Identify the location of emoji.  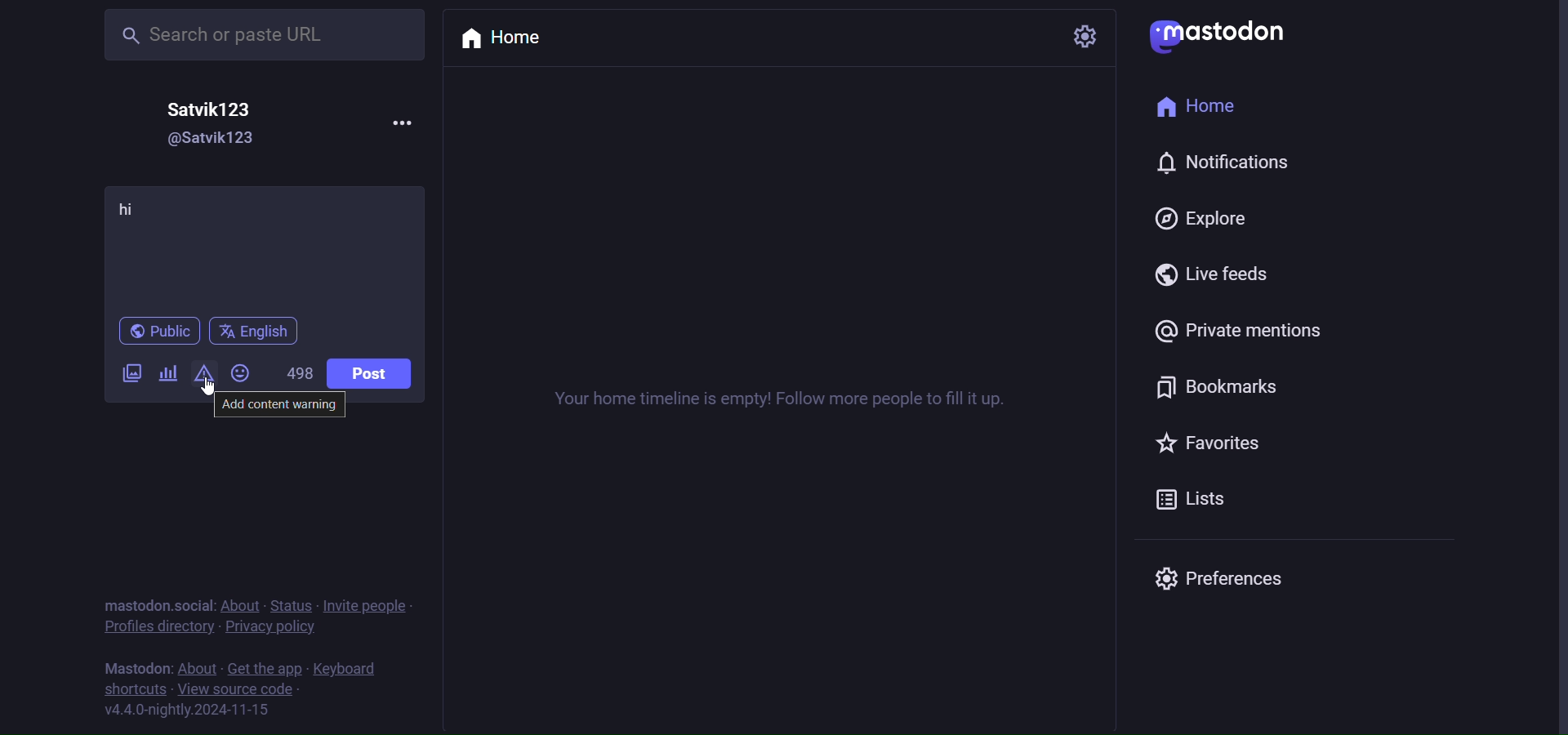
(241, 373).